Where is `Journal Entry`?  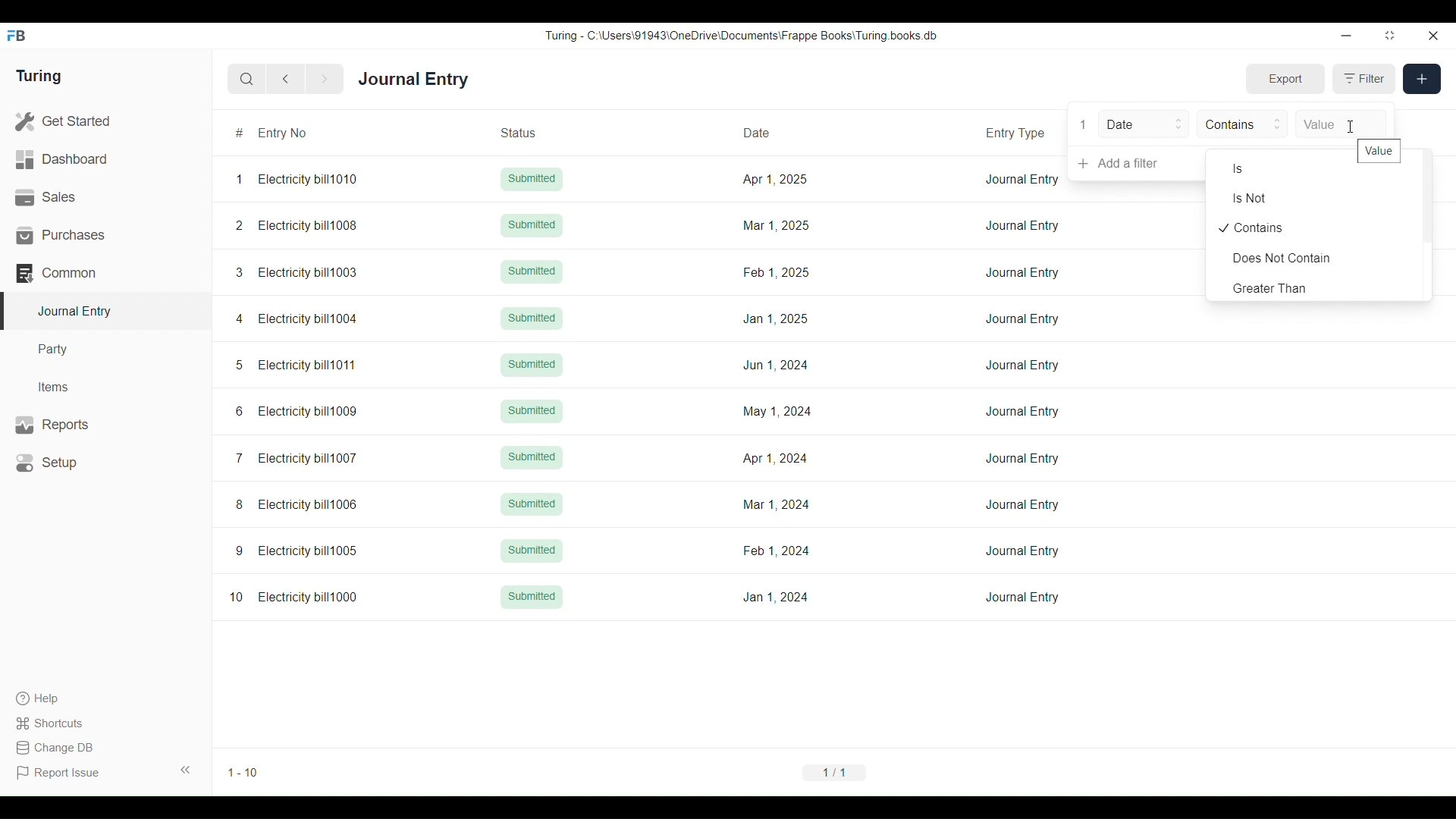
Journal Entry is located at coordinates (1023, 458).